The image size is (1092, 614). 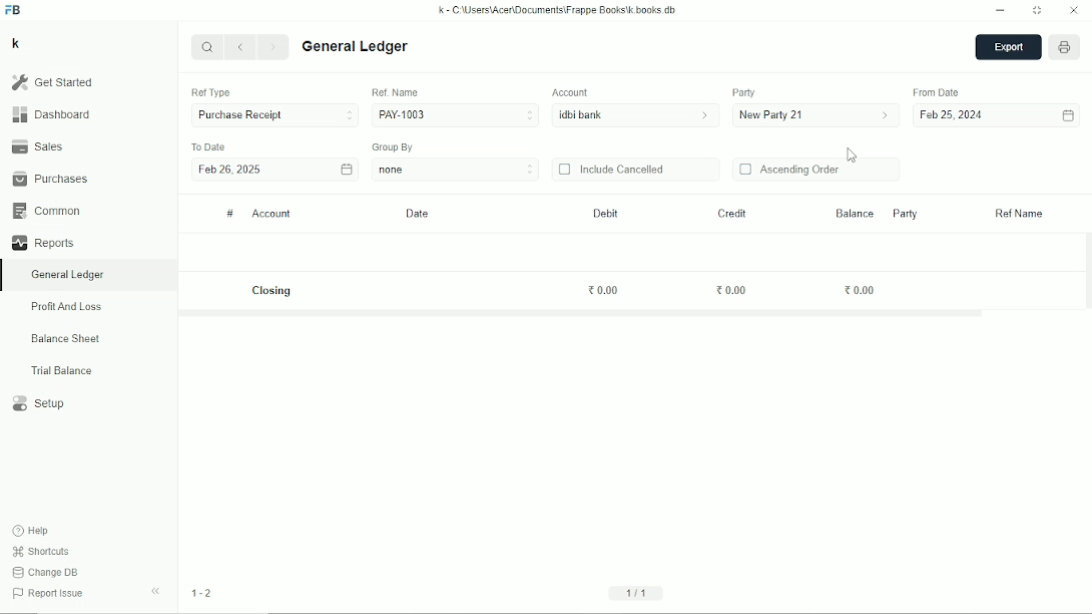 What do you see at coordinates (395, 92) in the screenshot?
I see `Ref. Name` at bounding box center [395, 92].